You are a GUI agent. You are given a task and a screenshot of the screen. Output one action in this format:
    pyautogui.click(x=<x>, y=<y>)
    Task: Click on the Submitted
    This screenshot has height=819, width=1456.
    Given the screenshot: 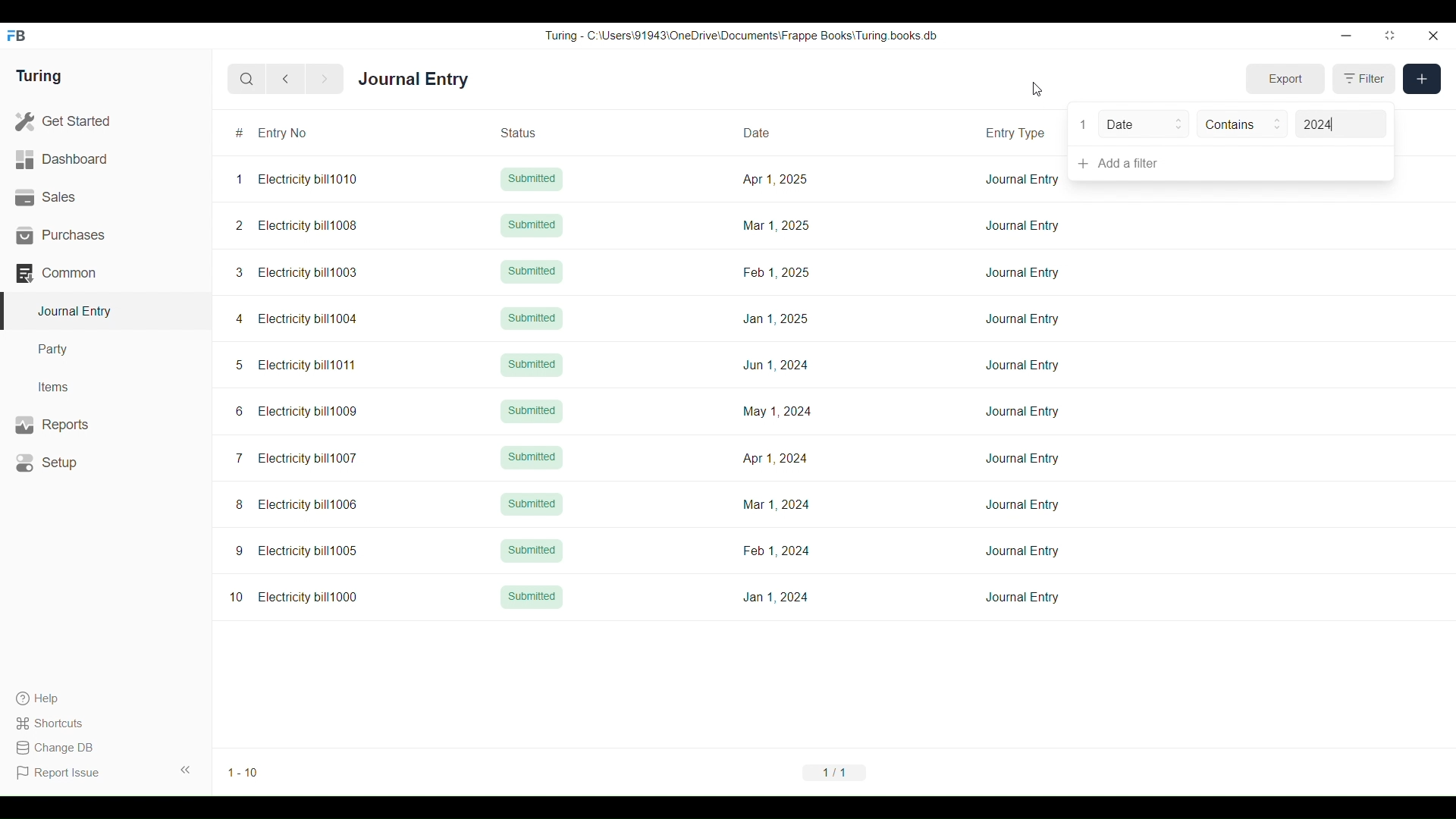 What is the action you would take?
    pyautogui.click(x=532, y=596)
    